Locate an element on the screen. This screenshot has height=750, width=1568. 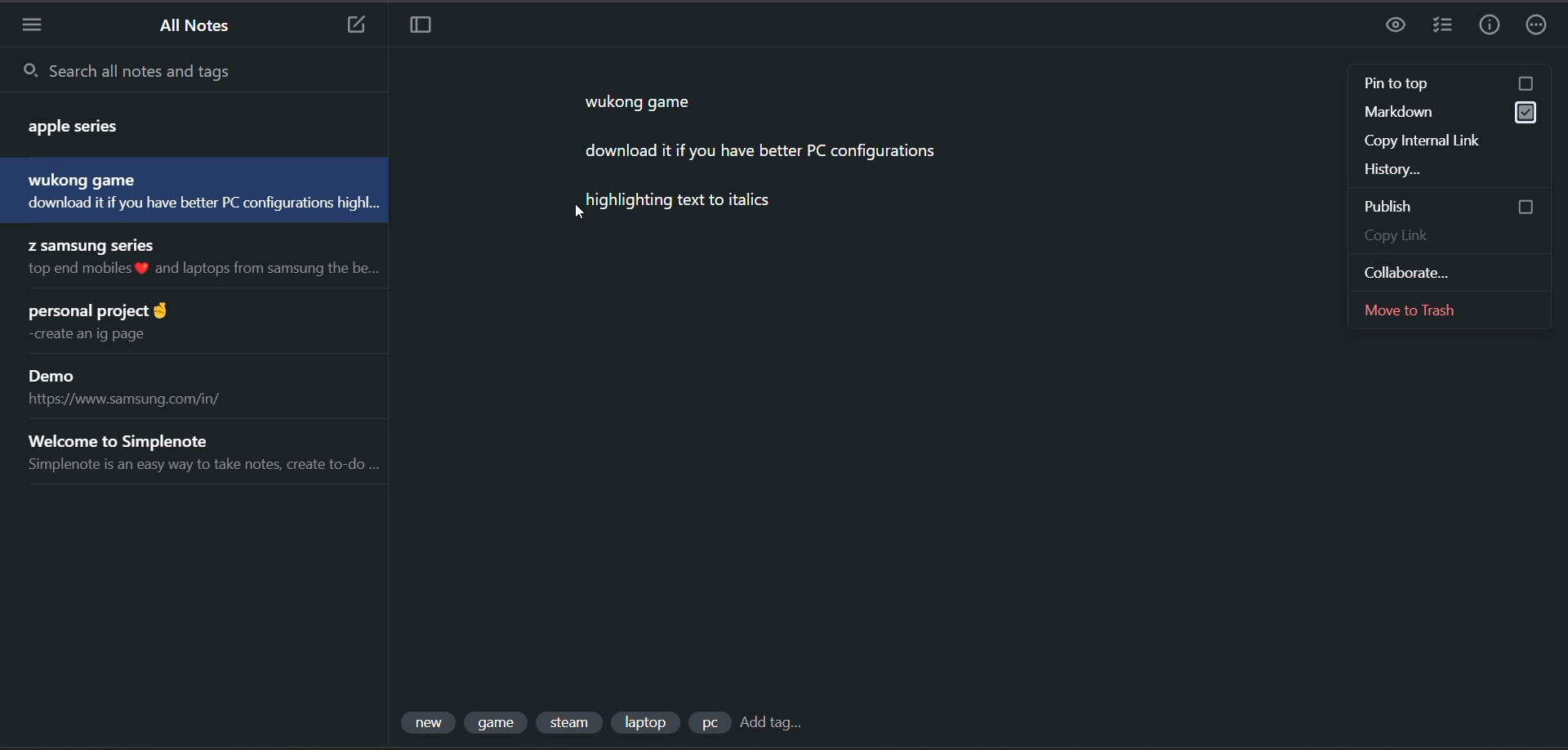
note title and preview is located at coordinates (122, 324).